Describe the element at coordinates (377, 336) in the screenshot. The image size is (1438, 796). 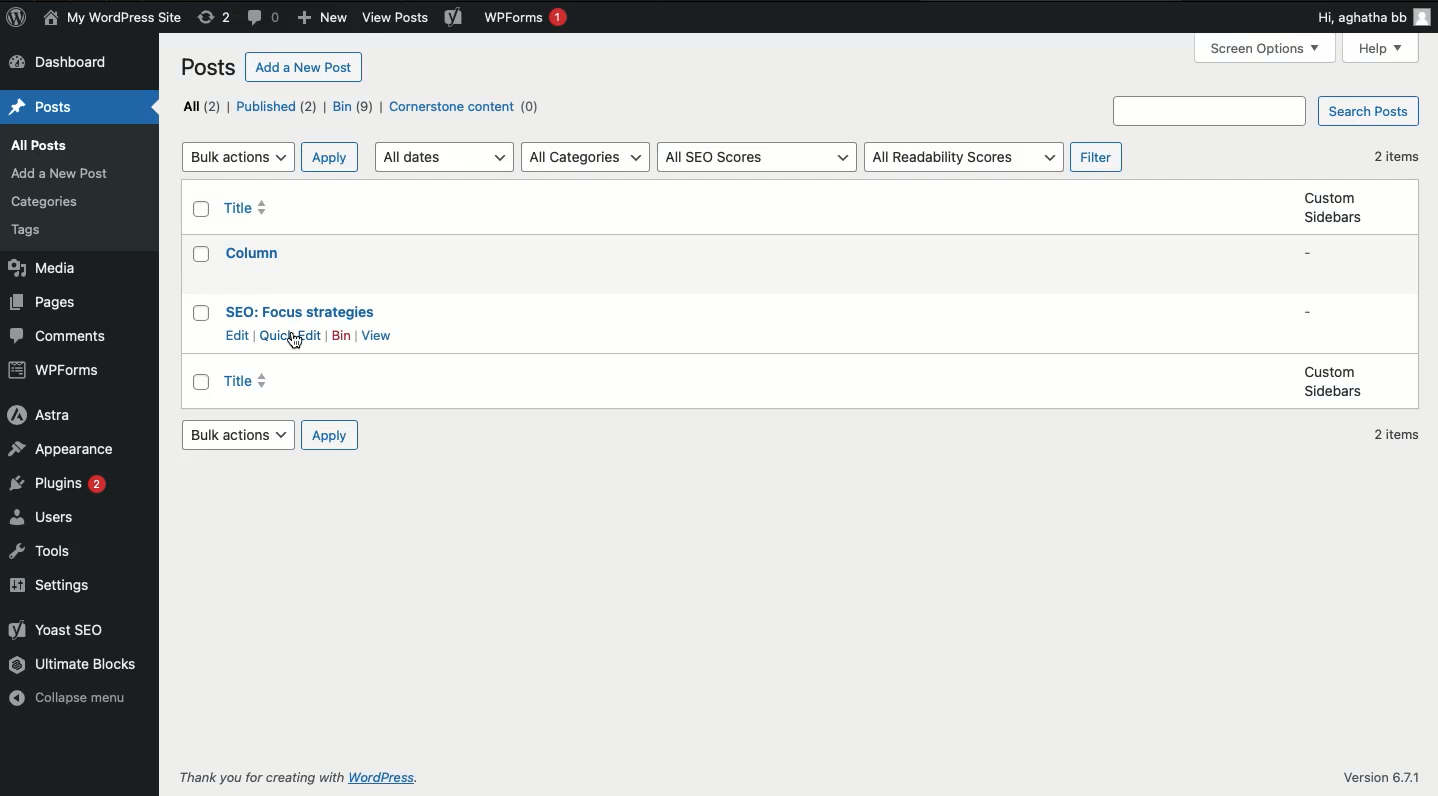
I see `View` at that location.